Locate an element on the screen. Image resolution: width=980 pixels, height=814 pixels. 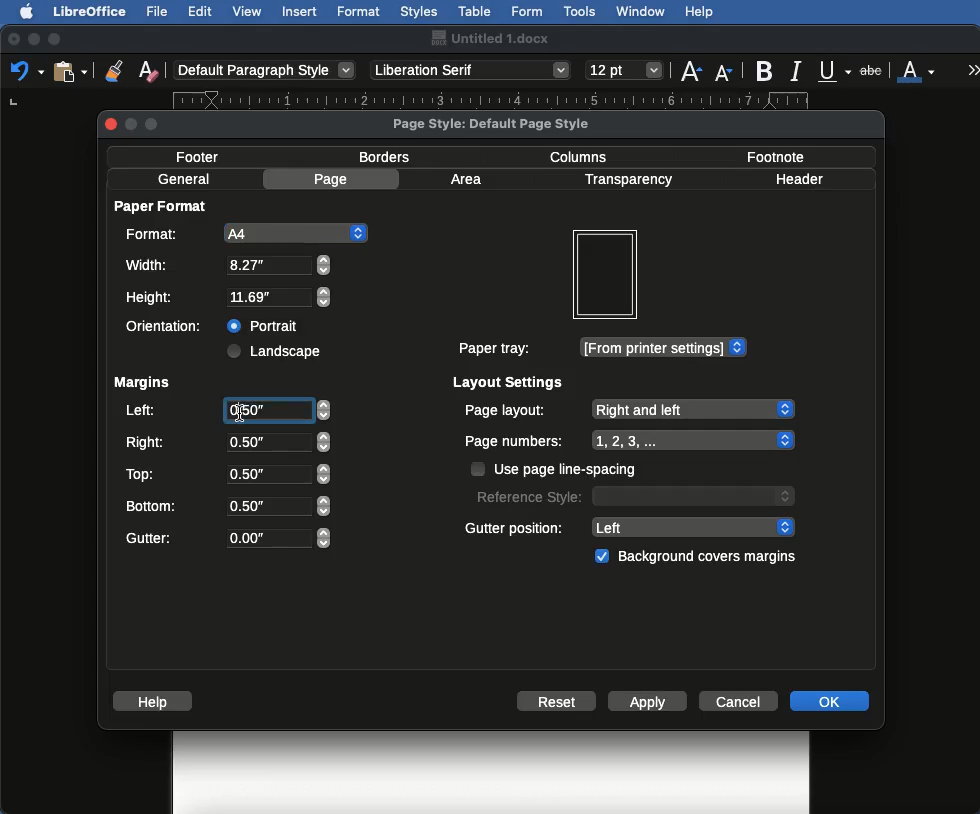
Page layout is located at coordinates (628, 409).